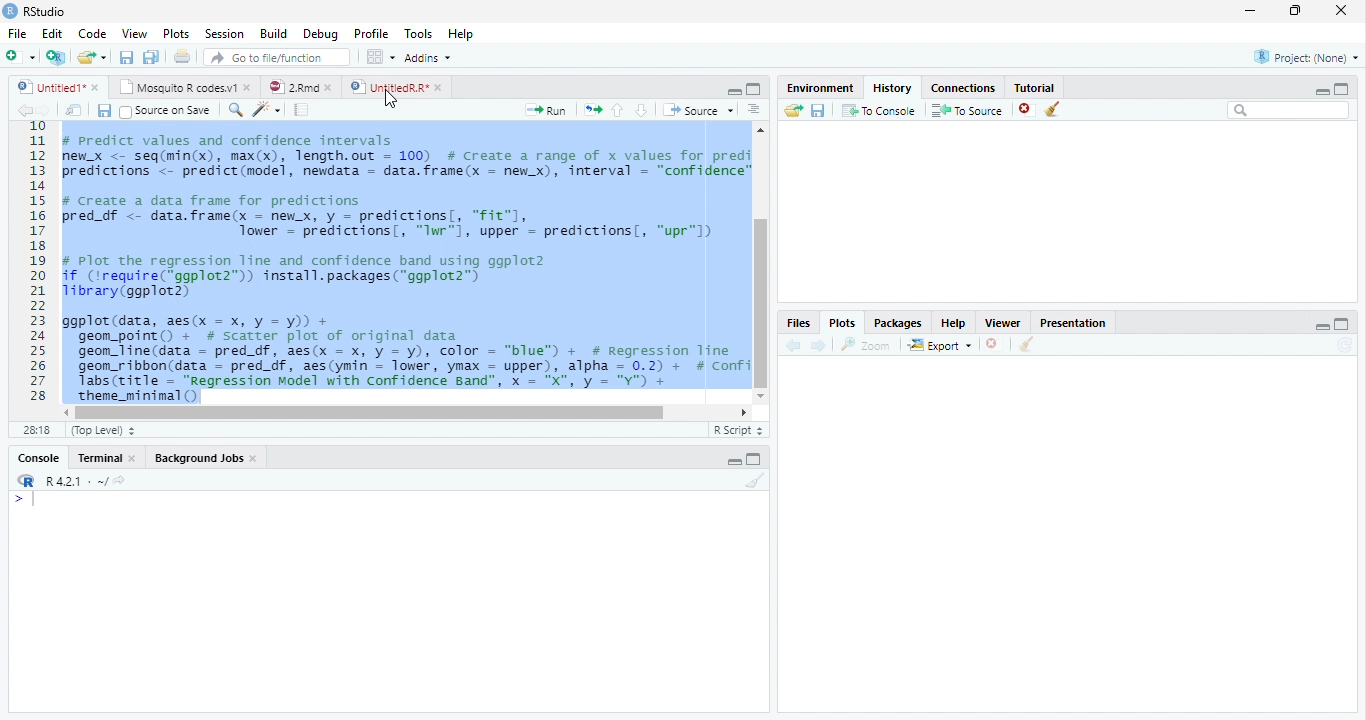 The image size is (1366, 720). What do you see at coordinates (300, 85) in the screenshot?
I see `2 Rmd` at bounding box center [300, 85].